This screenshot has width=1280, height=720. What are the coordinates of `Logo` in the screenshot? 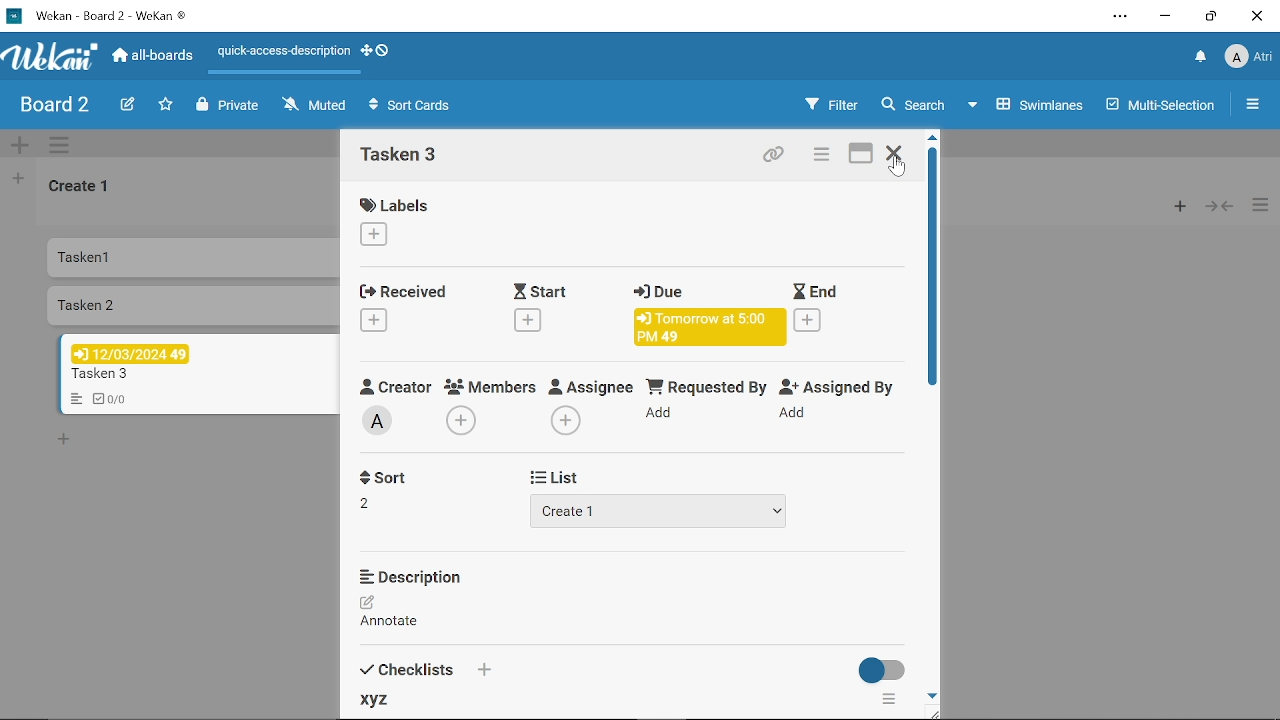 It's located at (49, 58).